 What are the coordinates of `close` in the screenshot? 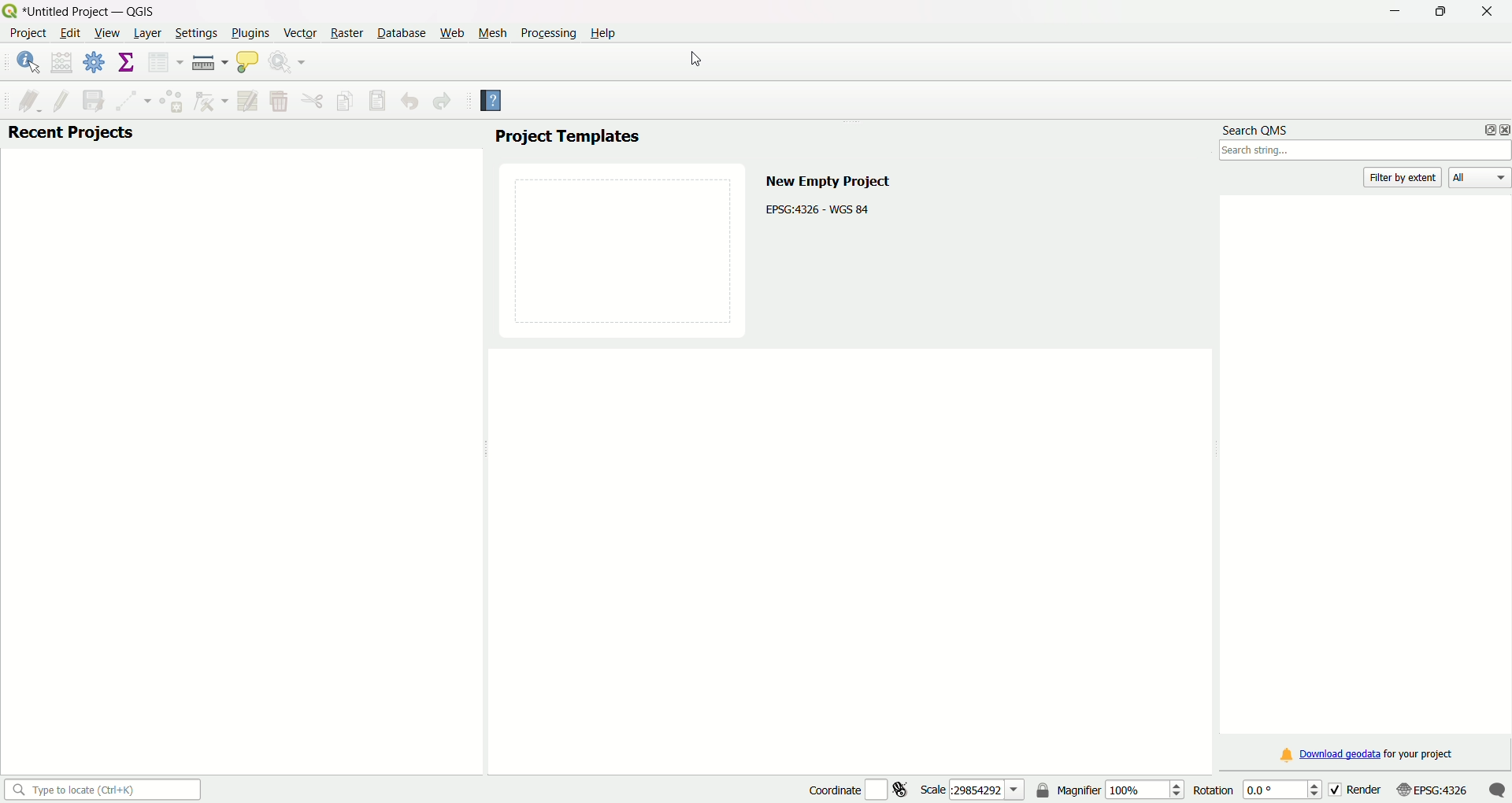 It's located at (1503, 129).